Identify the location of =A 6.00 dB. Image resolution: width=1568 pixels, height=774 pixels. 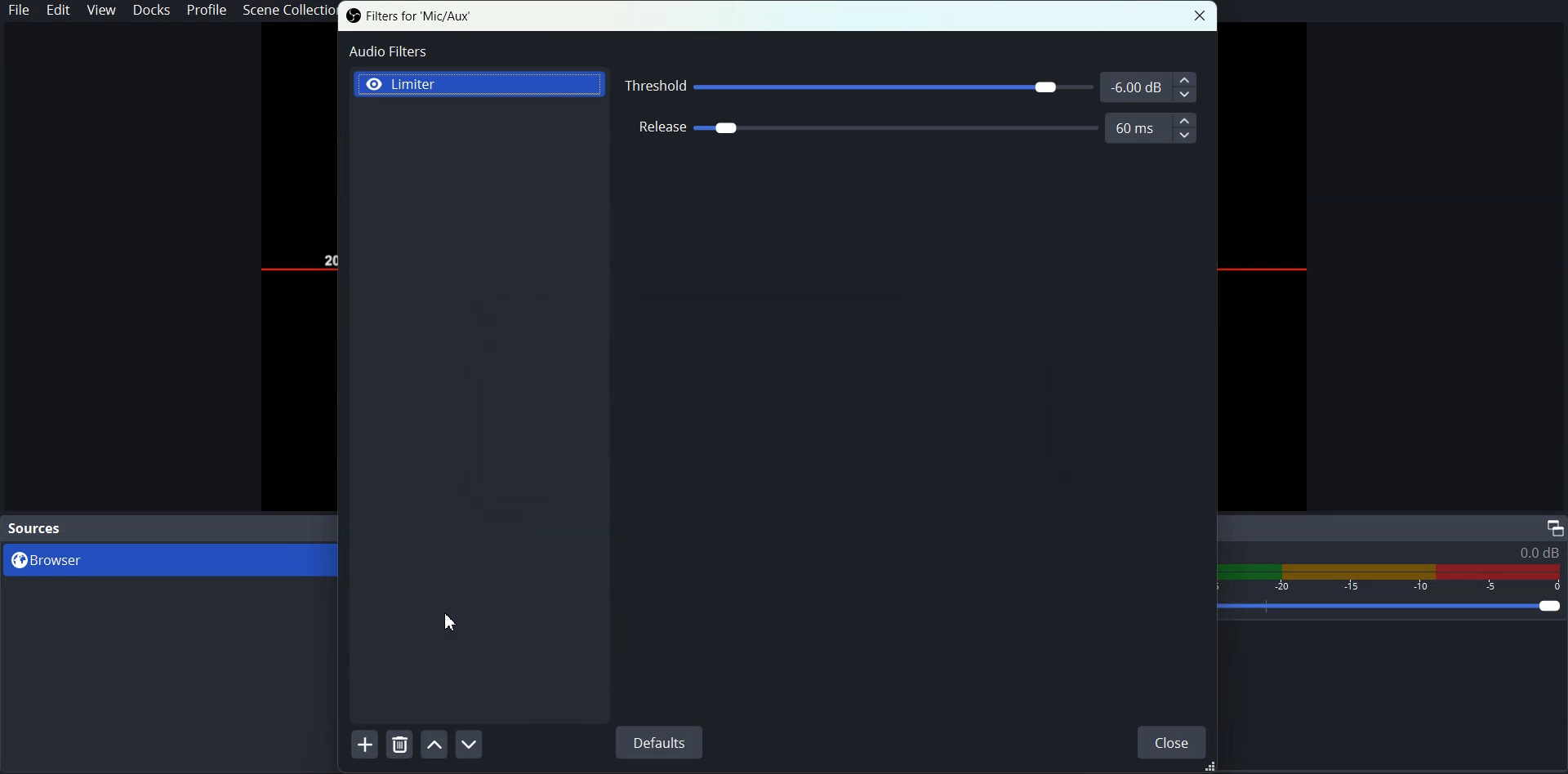
(1135, 85).